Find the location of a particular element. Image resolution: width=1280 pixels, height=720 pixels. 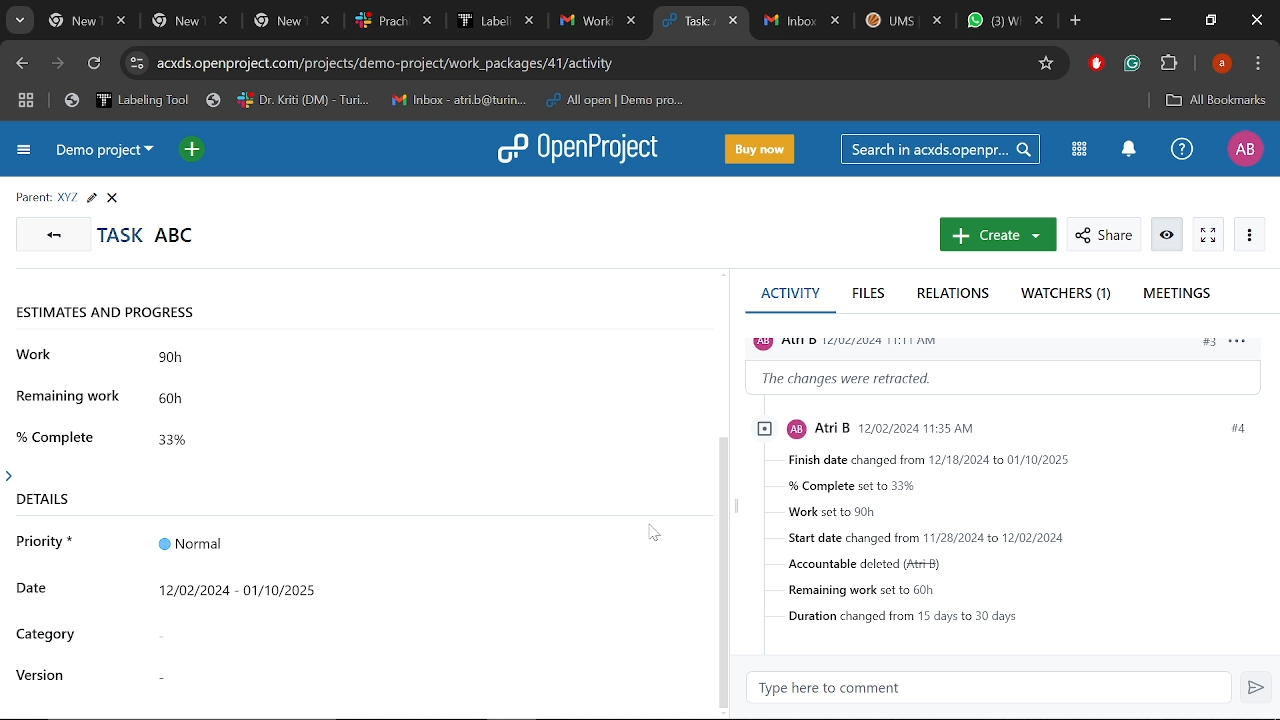

Task titled "ABC" is located at coordinates (146, 234).